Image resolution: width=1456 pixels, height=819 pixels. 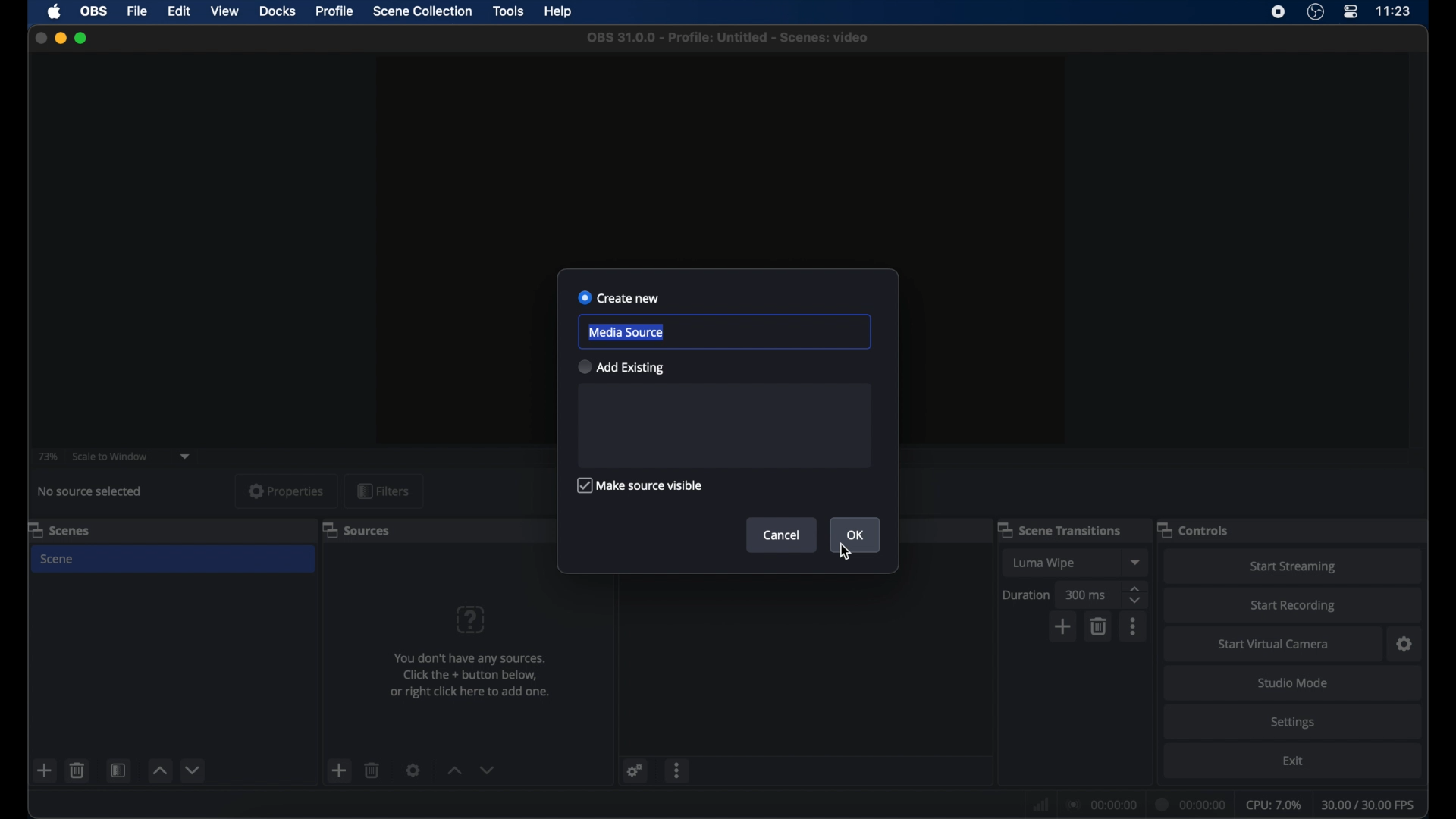 I want to click on settings, so click(x=413, y=770).